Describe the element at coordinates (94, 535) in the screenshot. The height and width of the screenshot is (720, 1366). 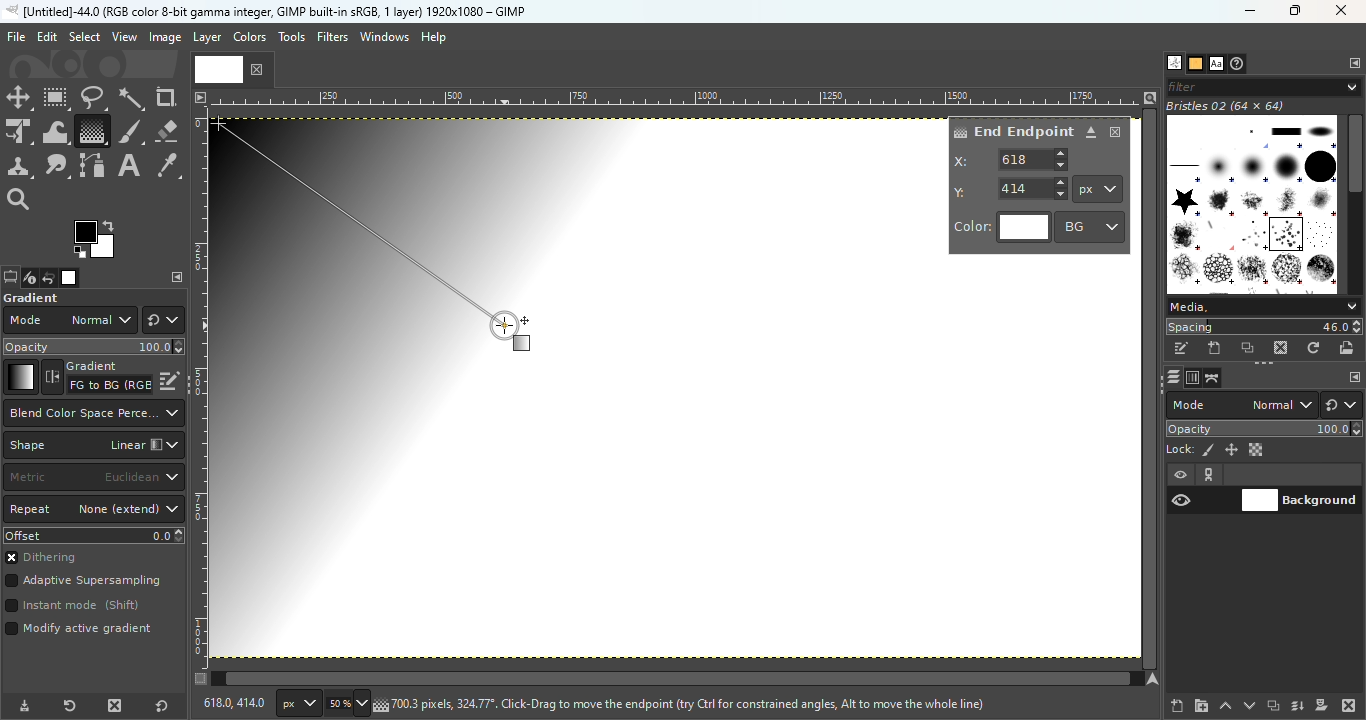
I see `Offset` at that location.